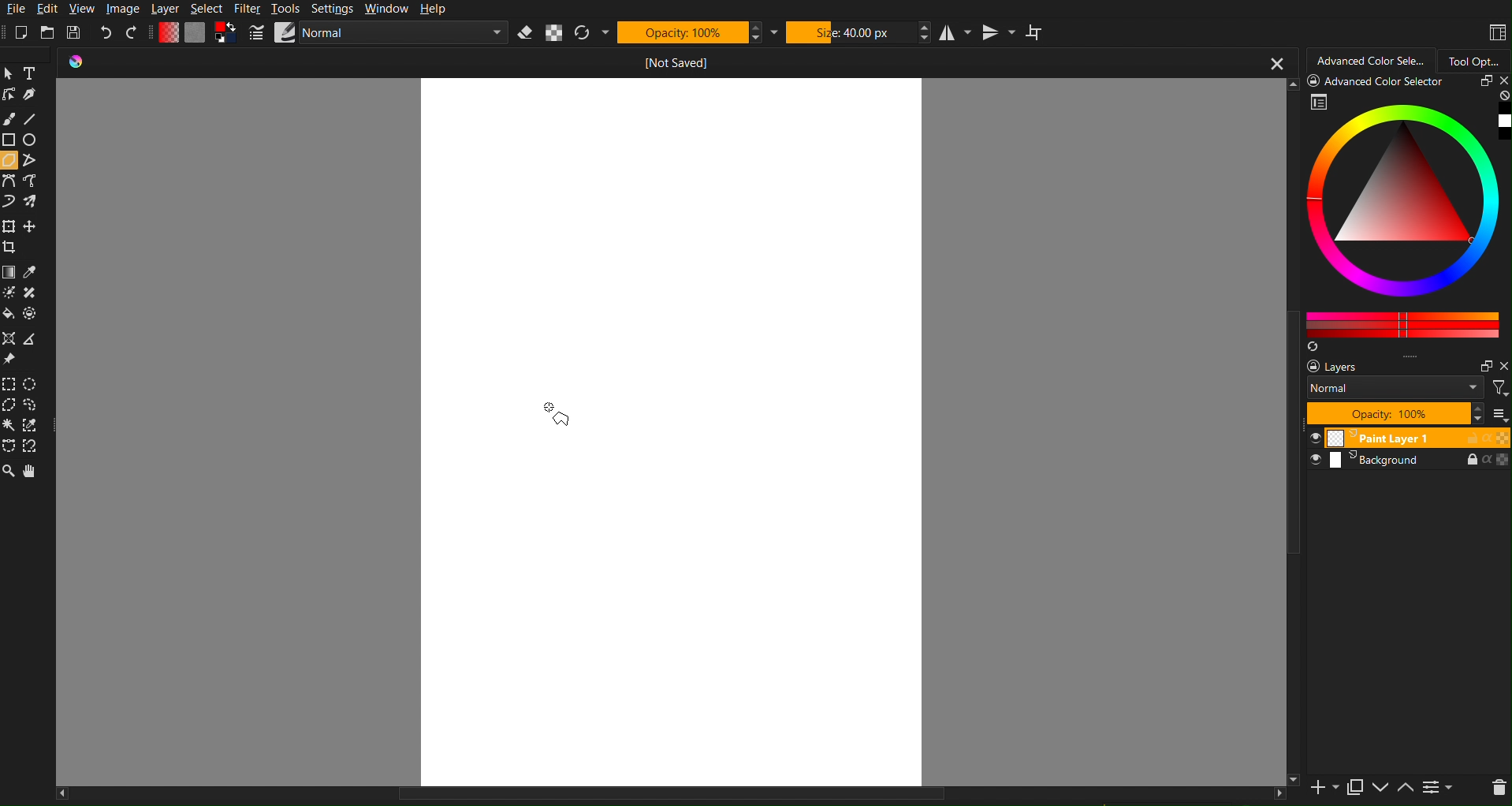  I want to click on freehand path tool, so click(36, 181).